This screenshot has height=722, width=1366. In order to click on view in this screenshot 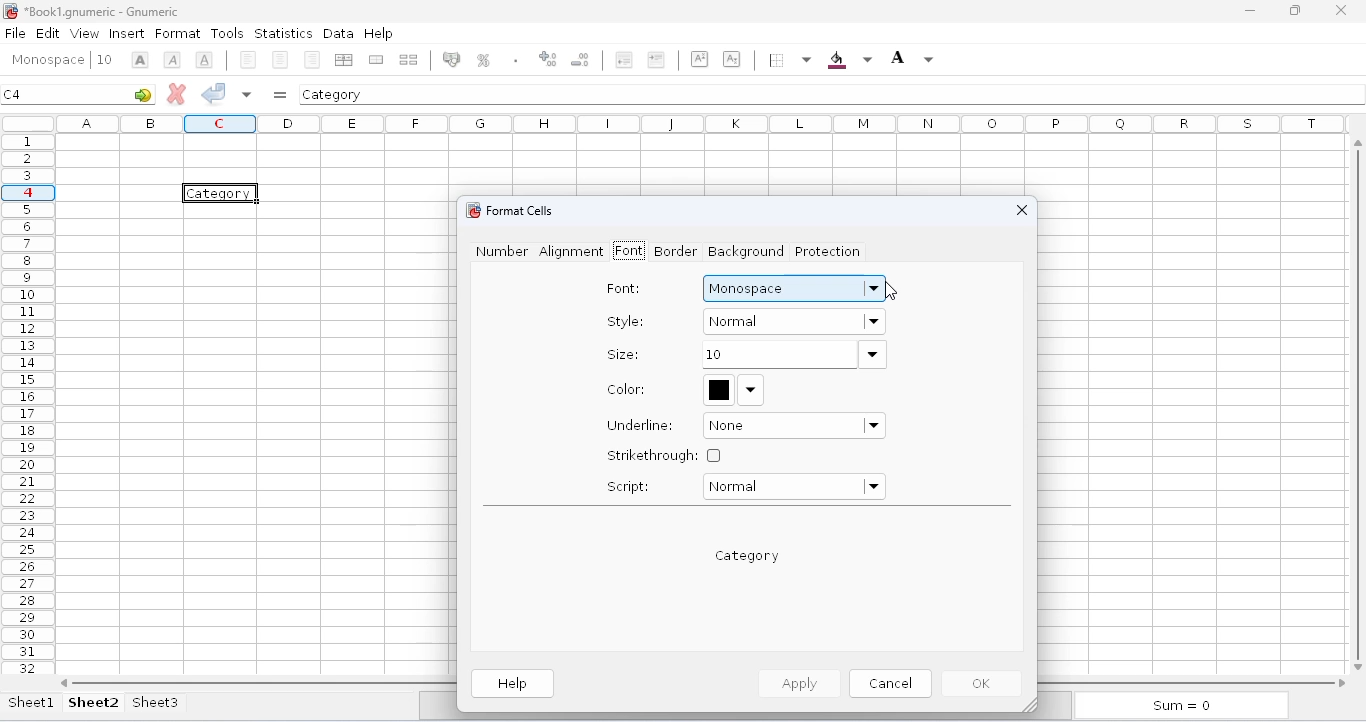, I will do `click(85, 33)`.